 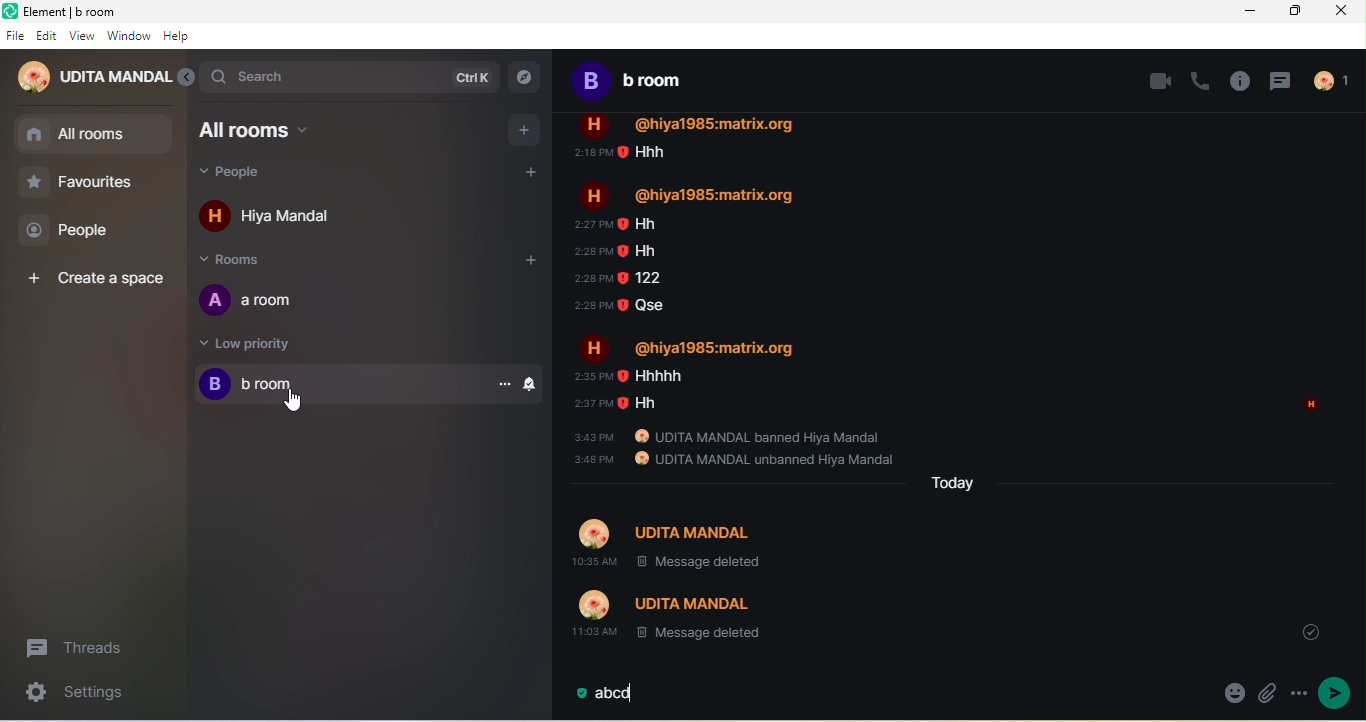 What do you see at coordinates (94, 135) in the screenshot?
I see `all room` at bounding box center [94, 135].